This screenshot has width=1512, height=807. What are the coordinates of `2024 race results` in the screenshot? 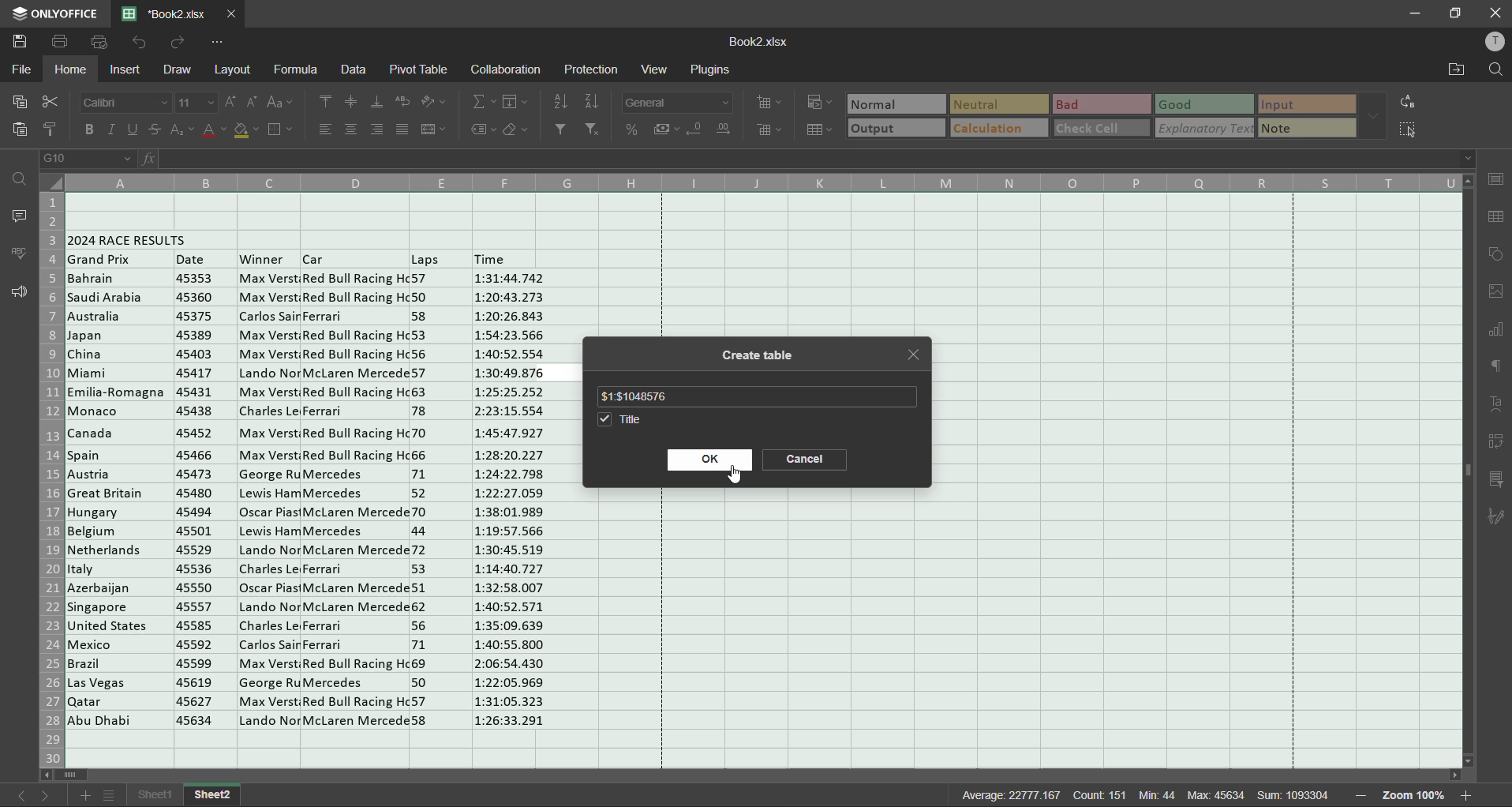 It's located at (131, 240).